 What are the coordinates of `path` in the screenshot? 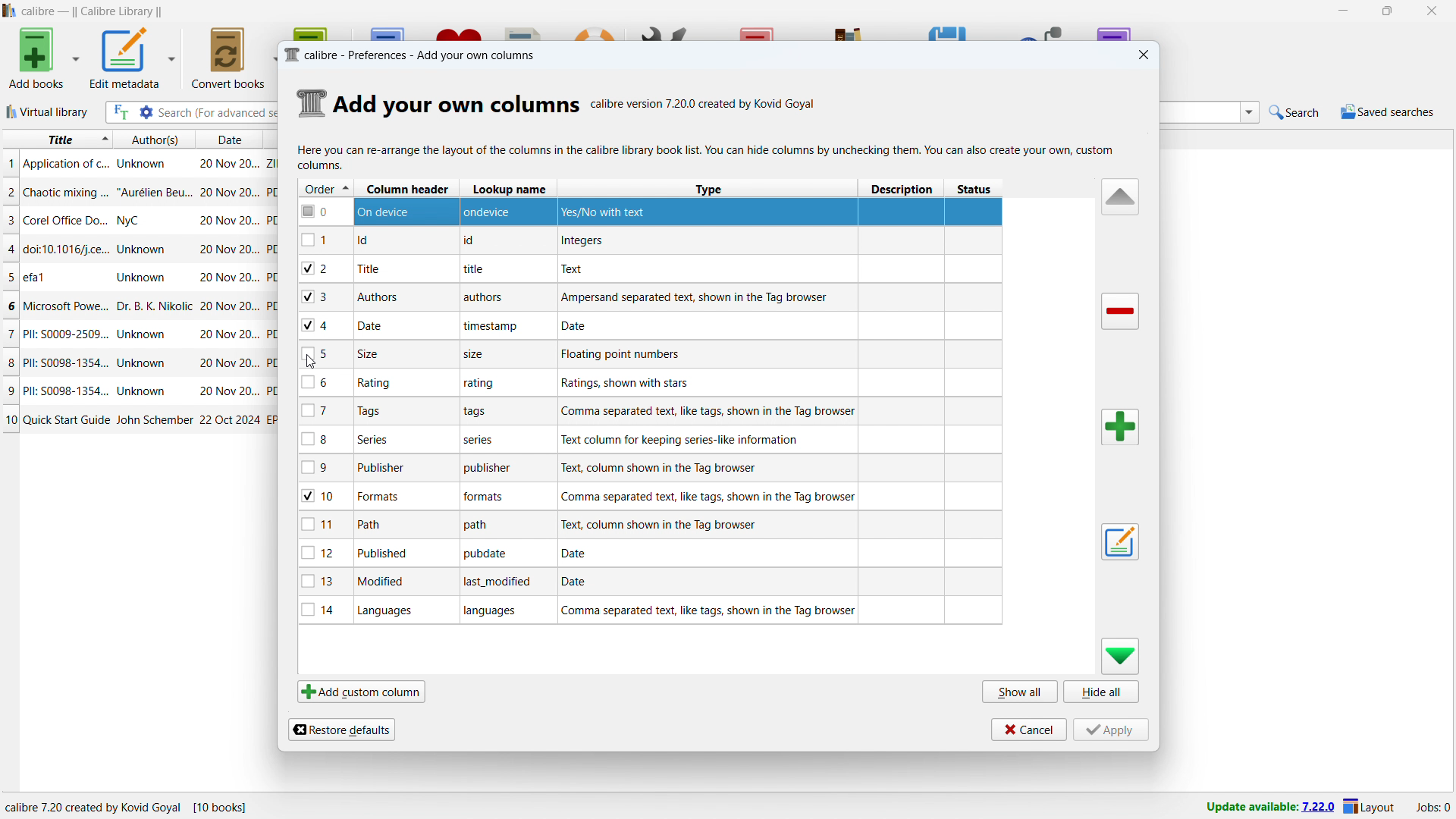 It's located at (483, 526).